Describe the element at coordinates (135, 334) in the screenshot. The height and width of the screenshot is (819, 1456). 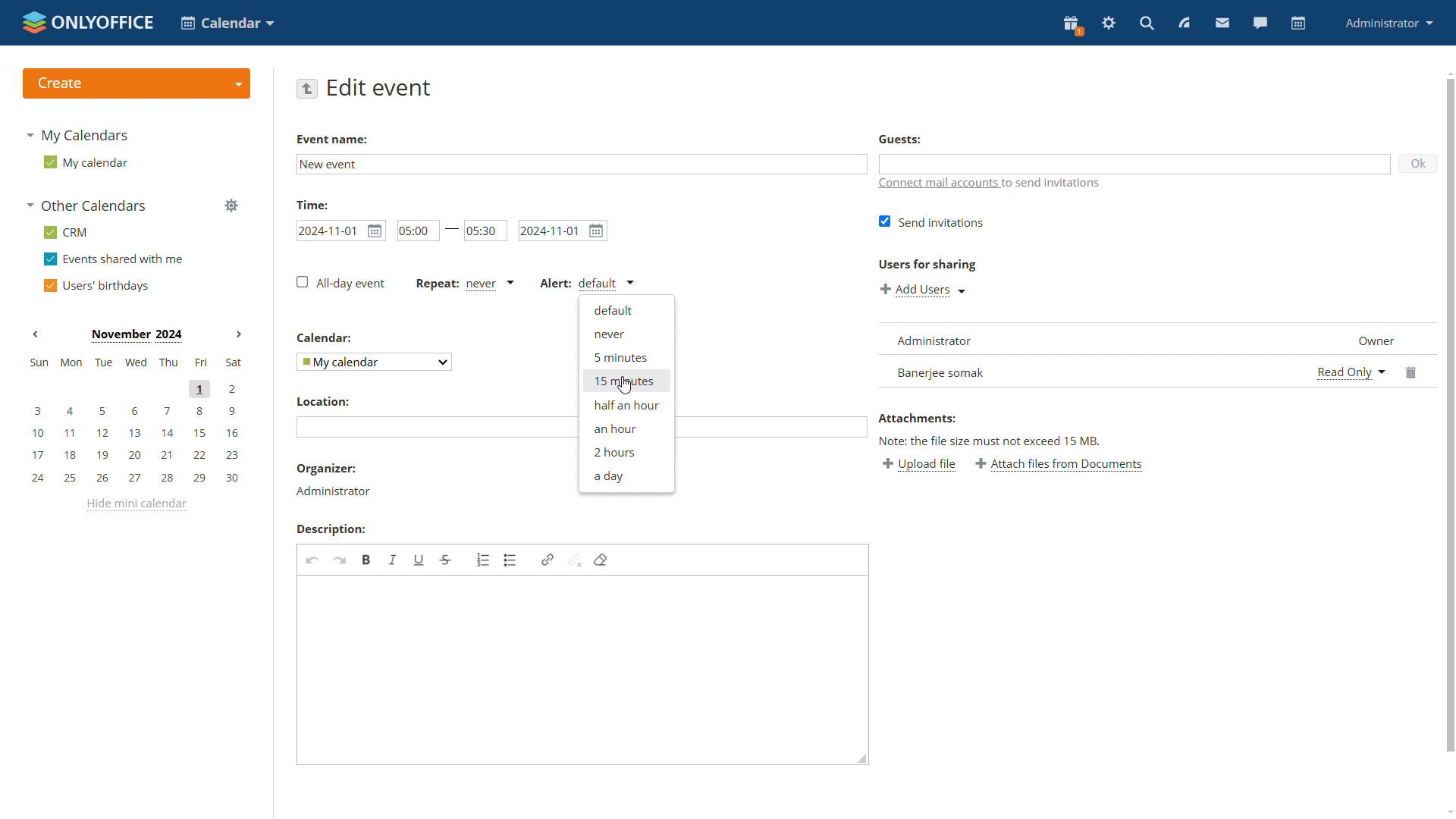
I see `Month on display` at that location.